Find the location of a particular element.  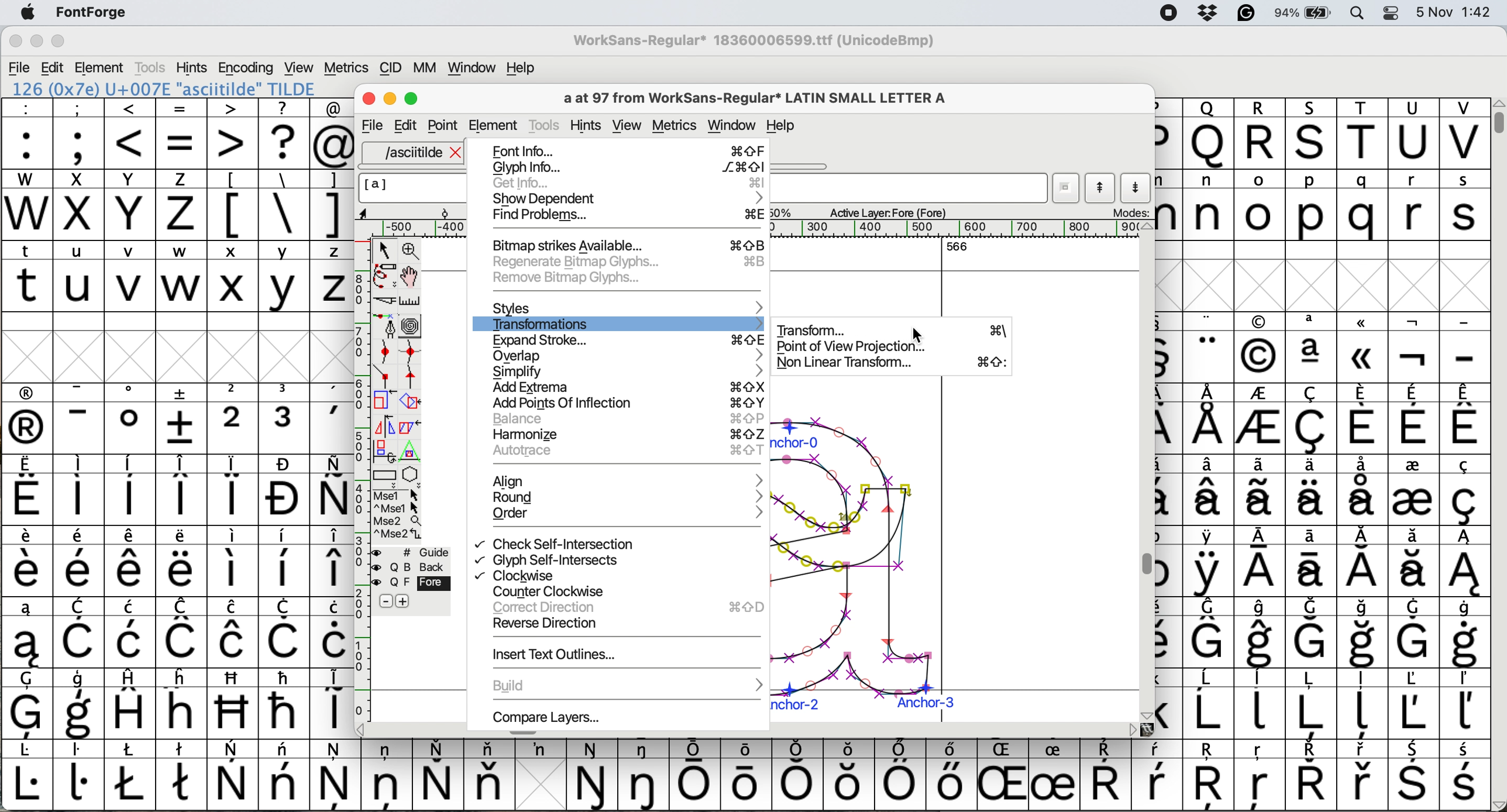

counter clockwise is located at coordinates (614, 592).